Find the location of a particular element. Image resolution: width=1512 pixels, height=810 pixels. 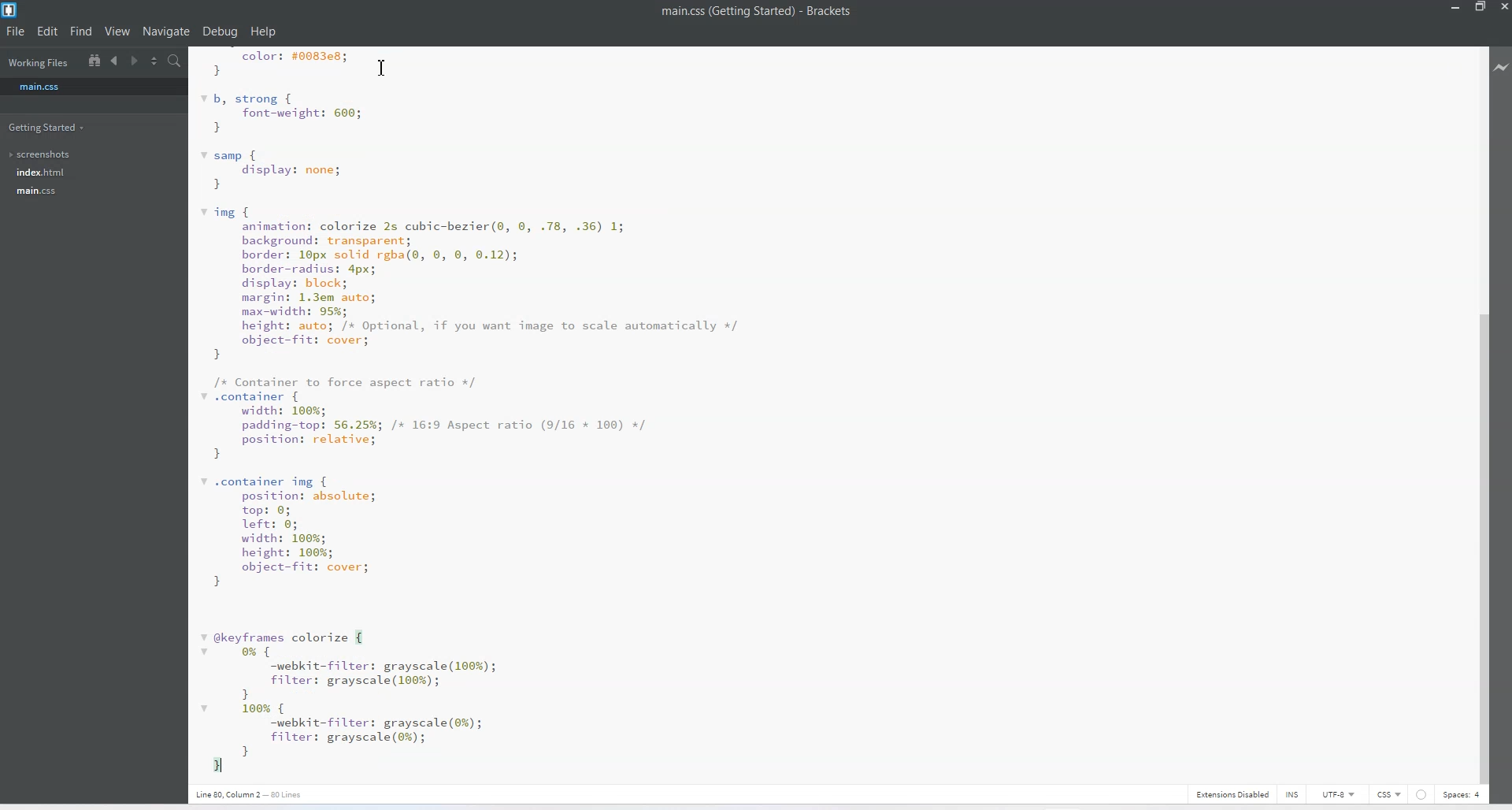

Debug is located at coordinates (220, 32).